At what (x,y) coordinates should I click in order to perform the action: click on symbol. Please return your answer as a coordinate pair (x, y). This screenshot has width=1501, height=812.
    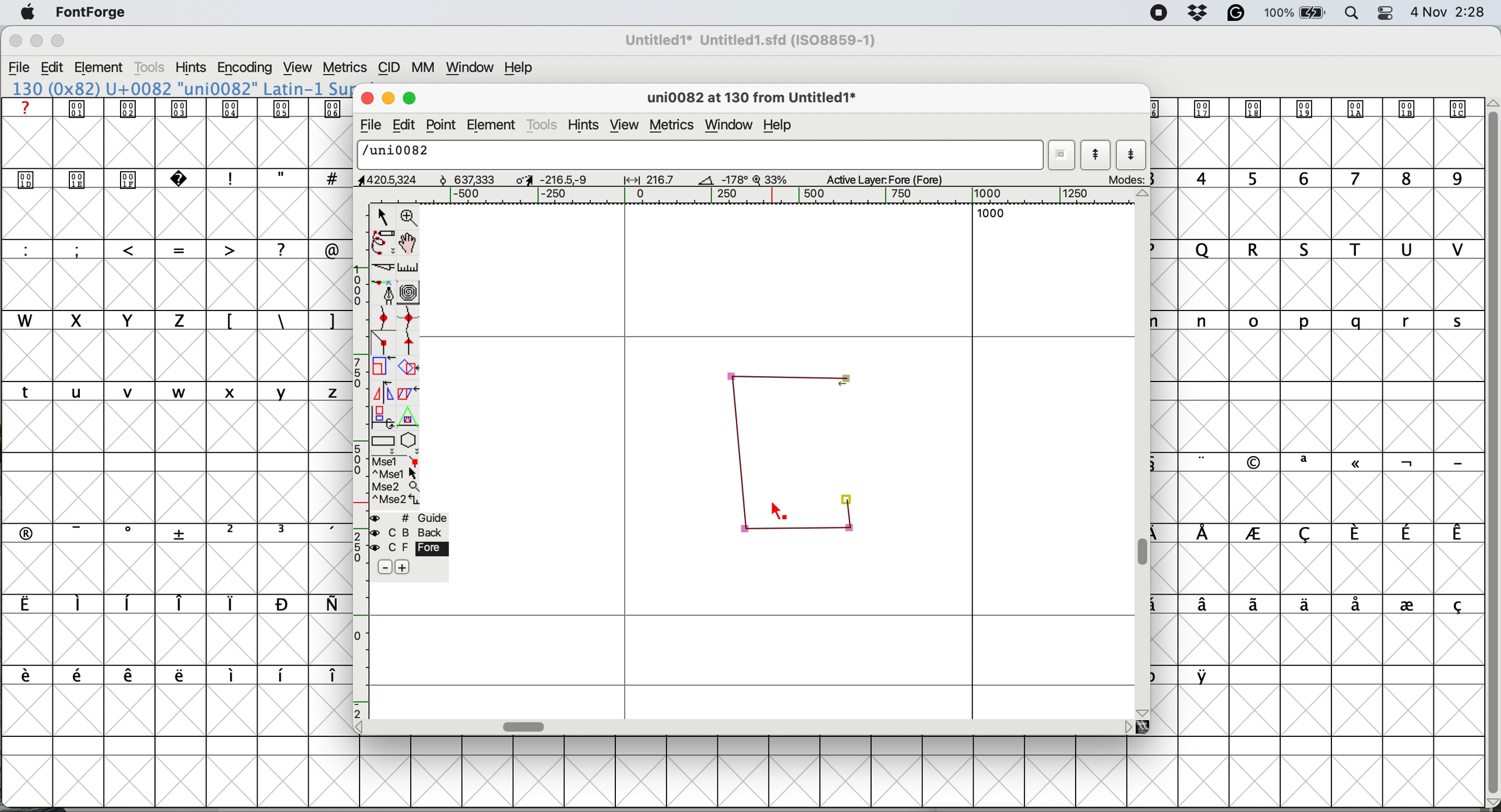
    Looking at the image, I should click on (1206, 675).